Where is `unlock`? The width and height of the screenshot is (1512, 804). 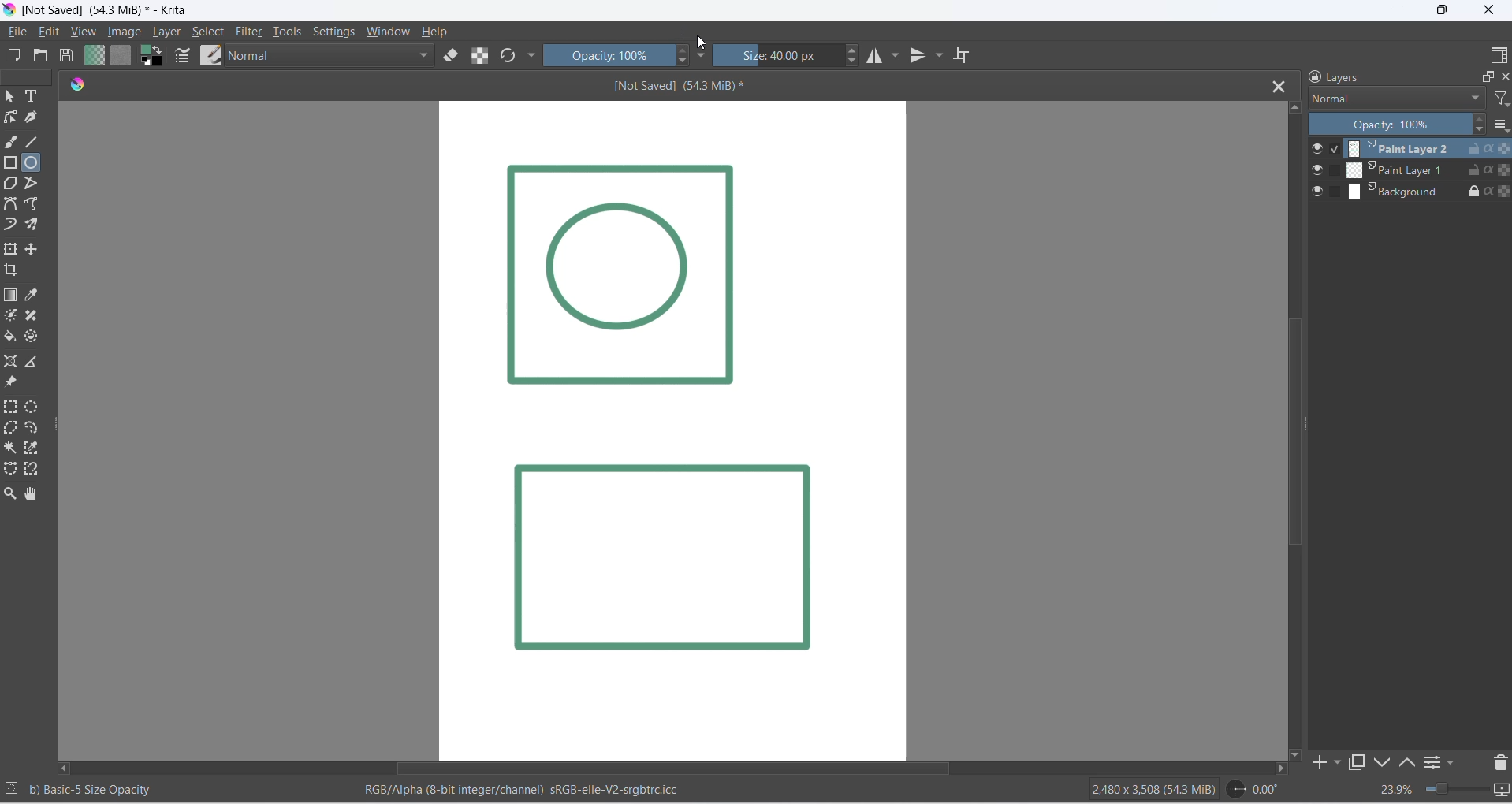
unlock is located at coordinates (1470, 188).